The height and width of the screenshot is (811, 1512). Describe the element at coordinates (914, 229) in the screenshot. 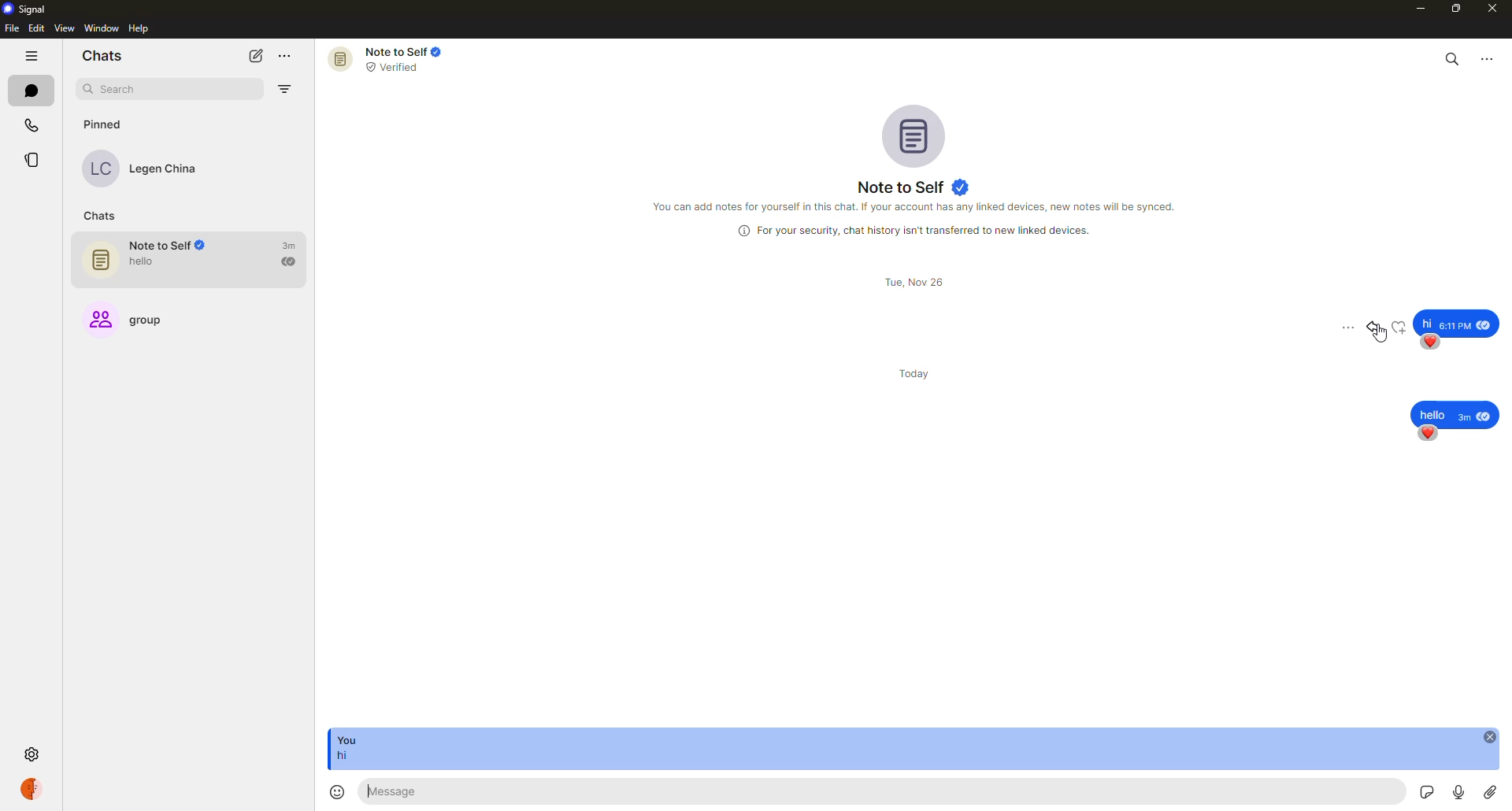

I see `info` at that location.